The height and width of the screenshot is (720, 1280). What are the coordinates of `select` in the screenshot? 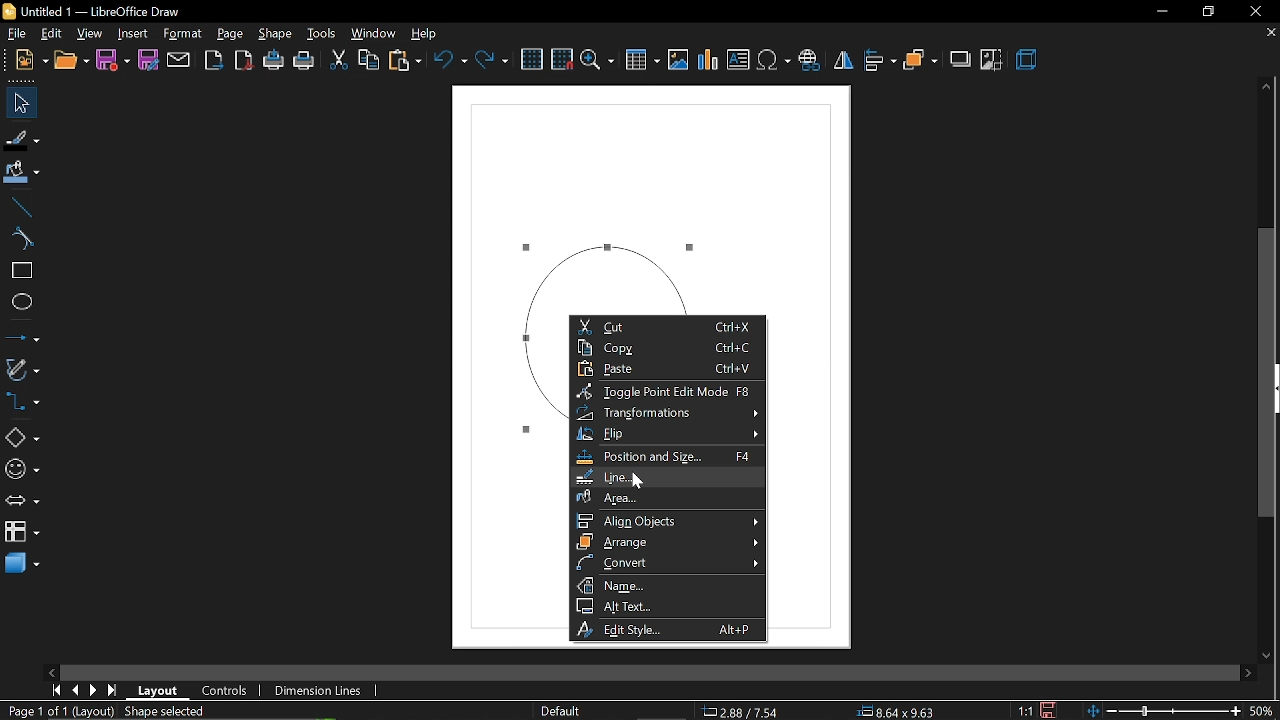 It's located at (19, 104).